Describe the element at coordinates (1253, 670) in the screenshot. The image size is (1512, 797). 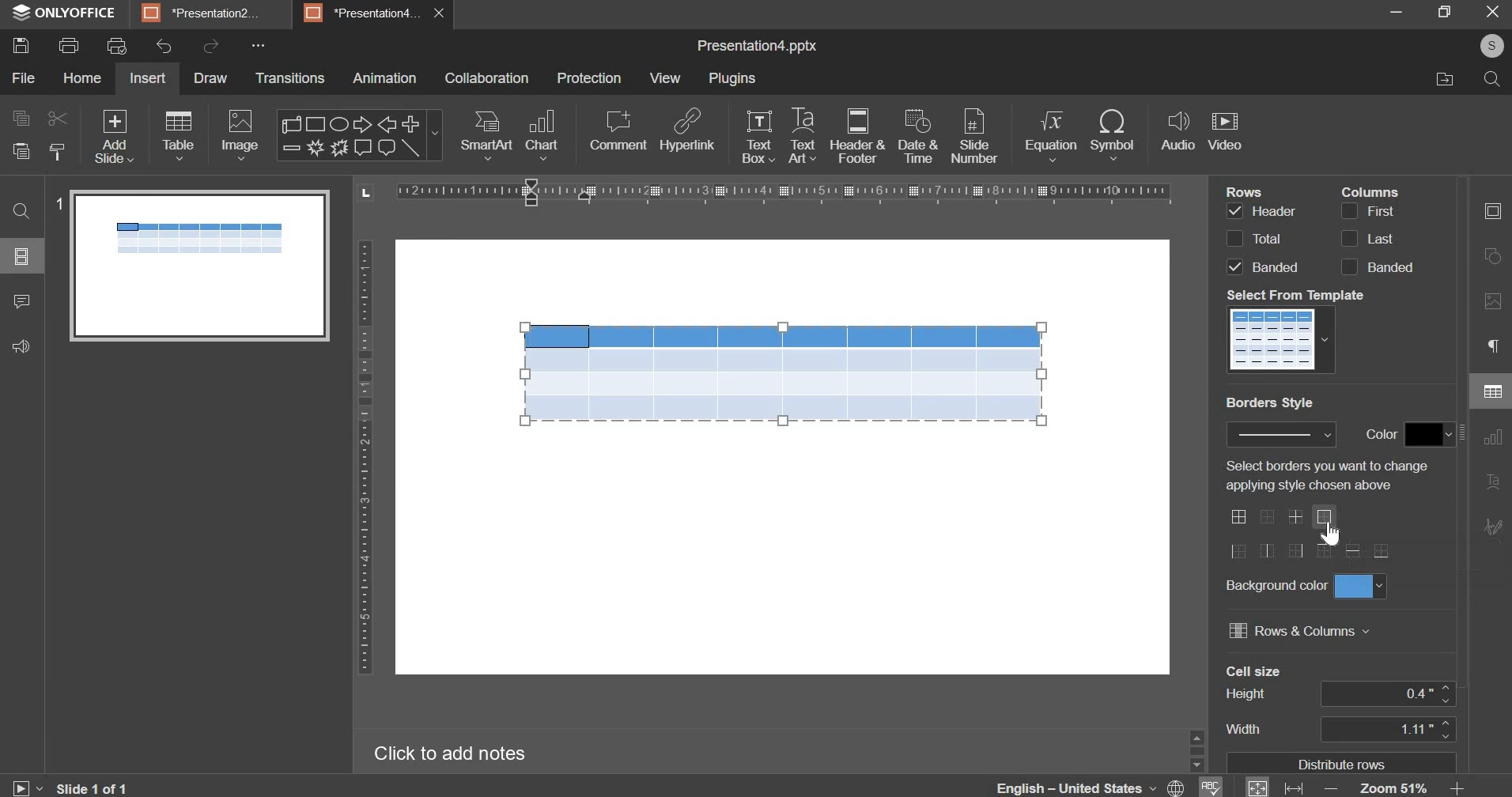
I see `cell size` at that location.